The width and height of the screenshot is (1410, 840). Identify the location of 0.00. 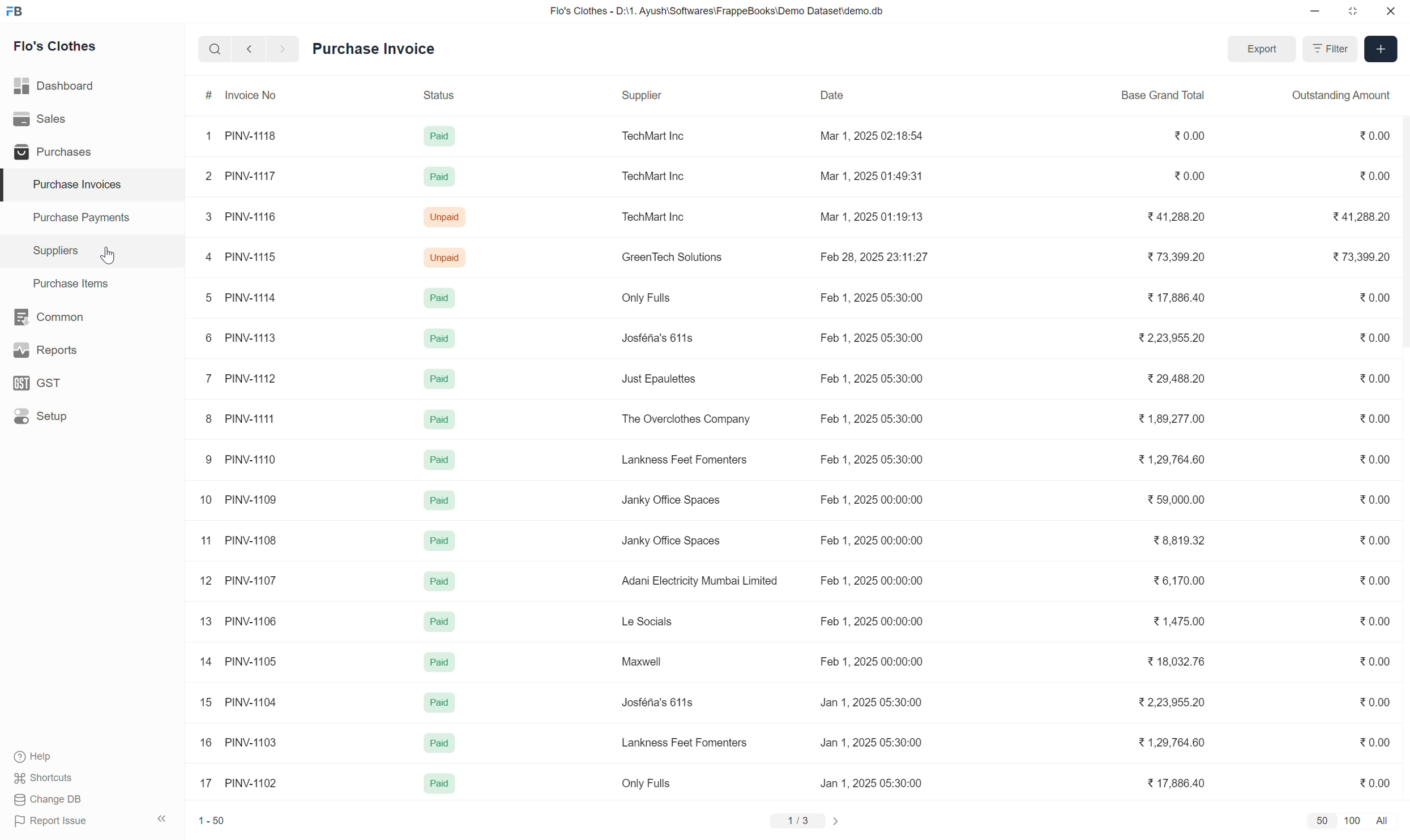
(1369, 701).